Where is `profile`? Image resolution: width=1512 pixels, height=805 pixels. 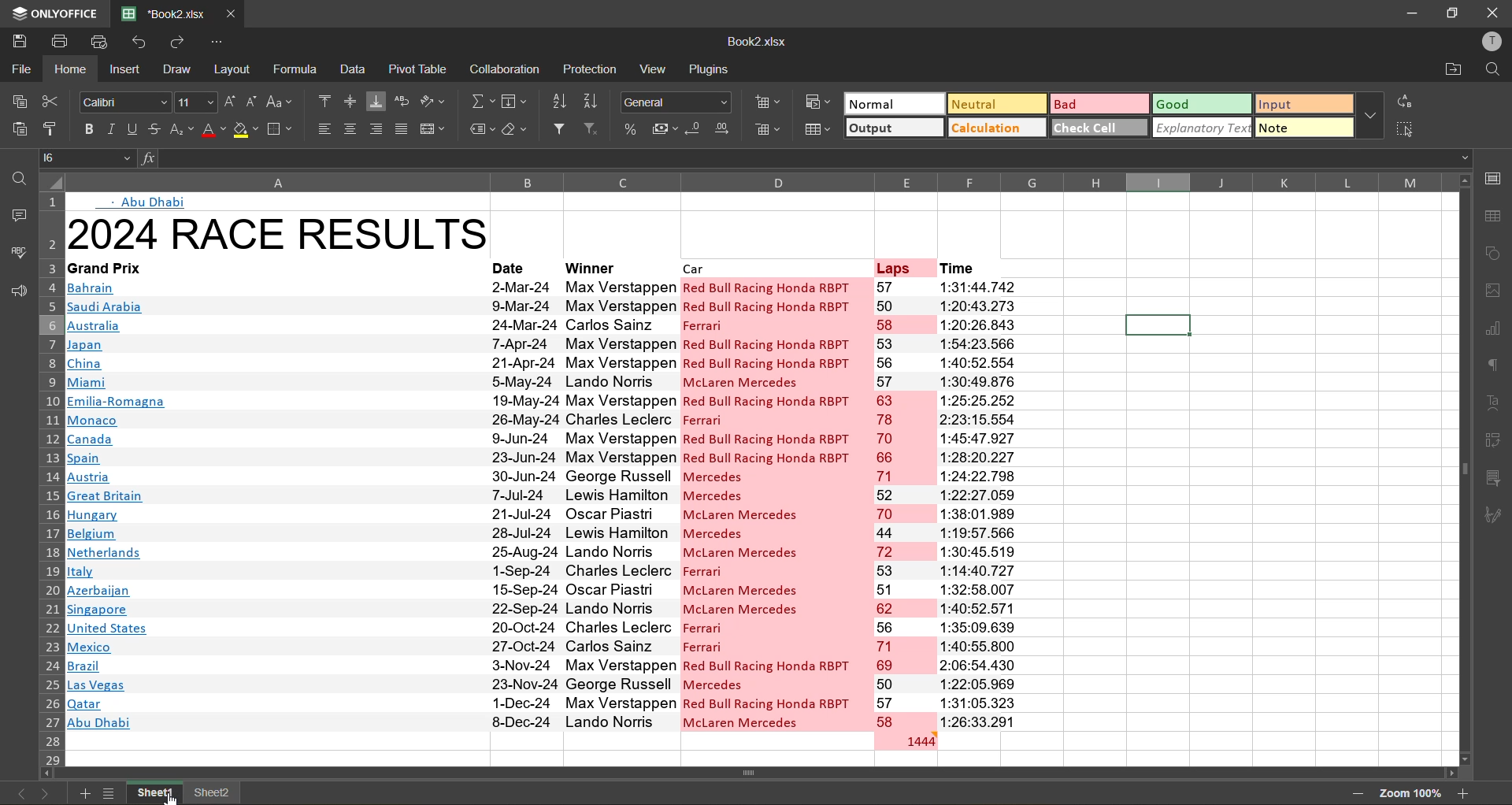
profile is located at coordinates (1489, 44).